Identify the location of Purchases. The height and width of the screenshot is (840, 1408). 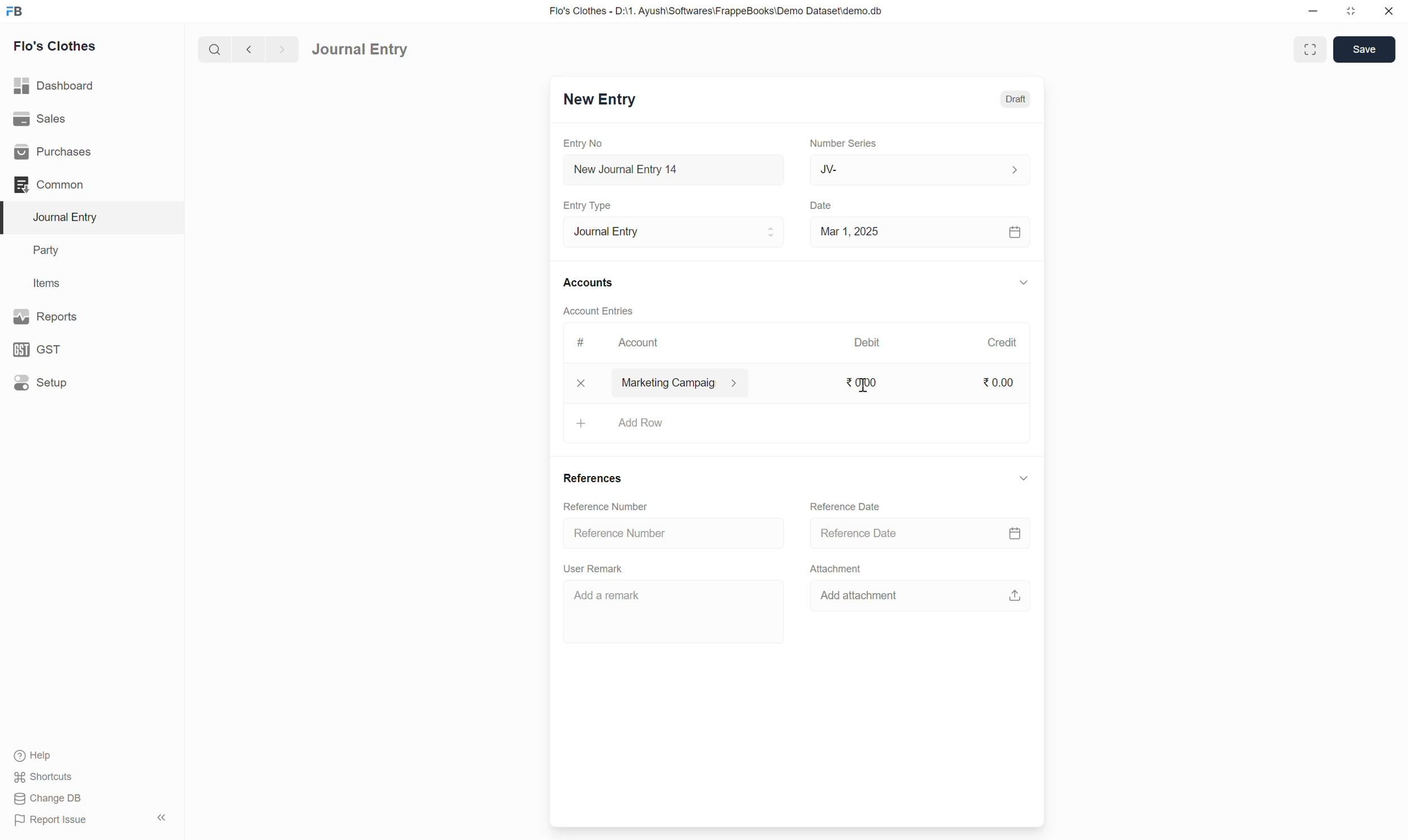
(56, 152).